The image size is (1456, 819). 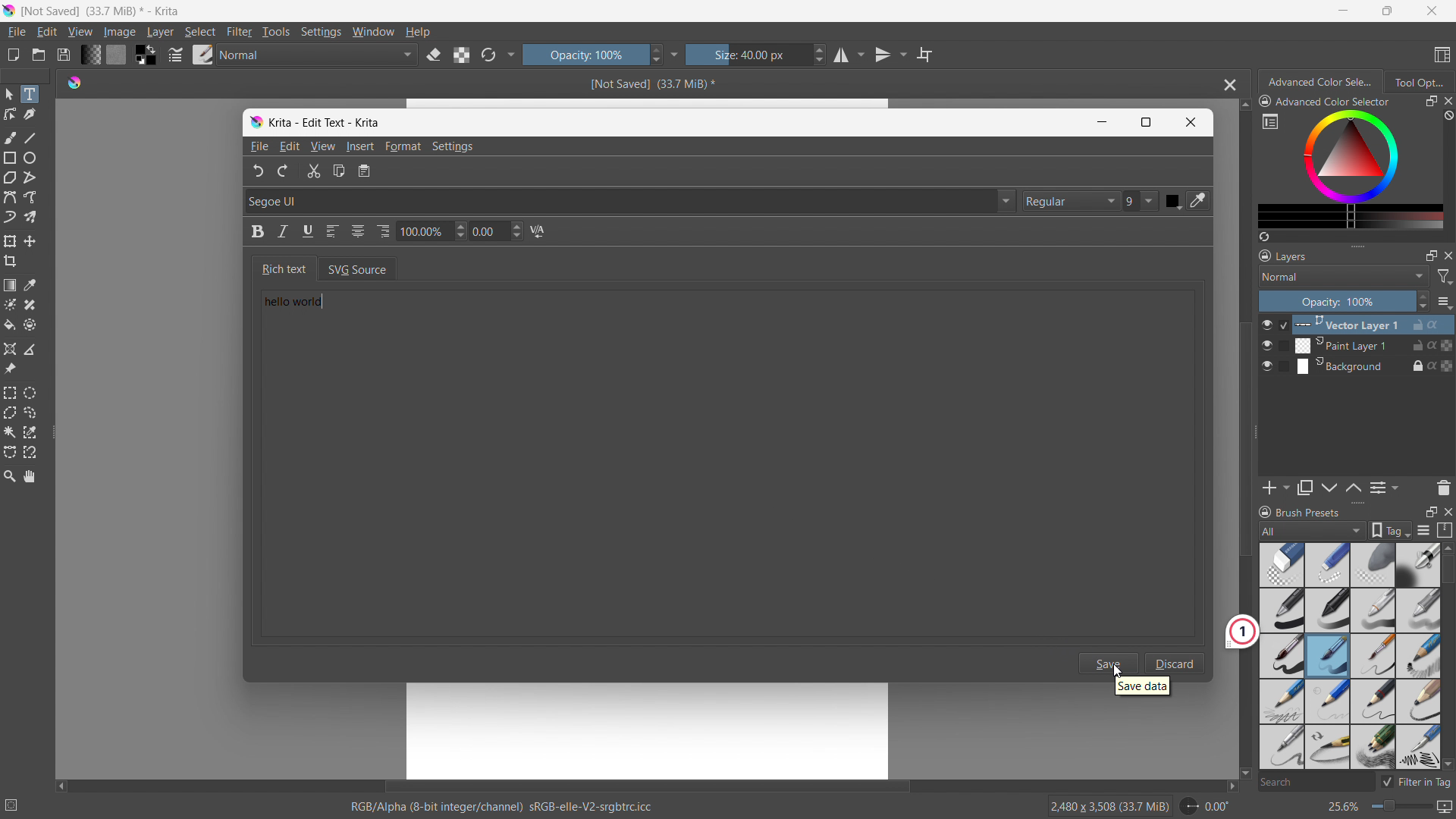 What do you see at coordinates (321, 33) in the screenshot?
I see `settings` at bounding box center [321, 33].